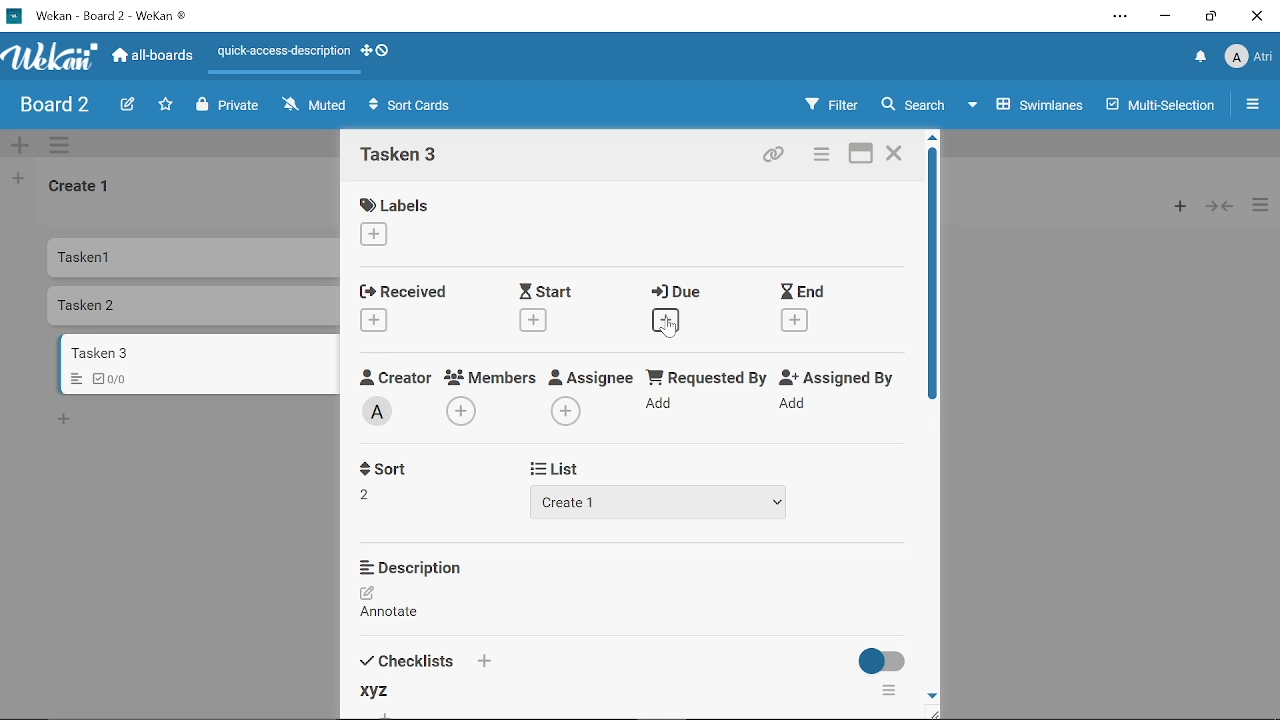 The width and height of the screenshot is (1280, 720). Describe the element at coordinates (50, 57) in the screenshot. I see `Wekan logo` at that location.